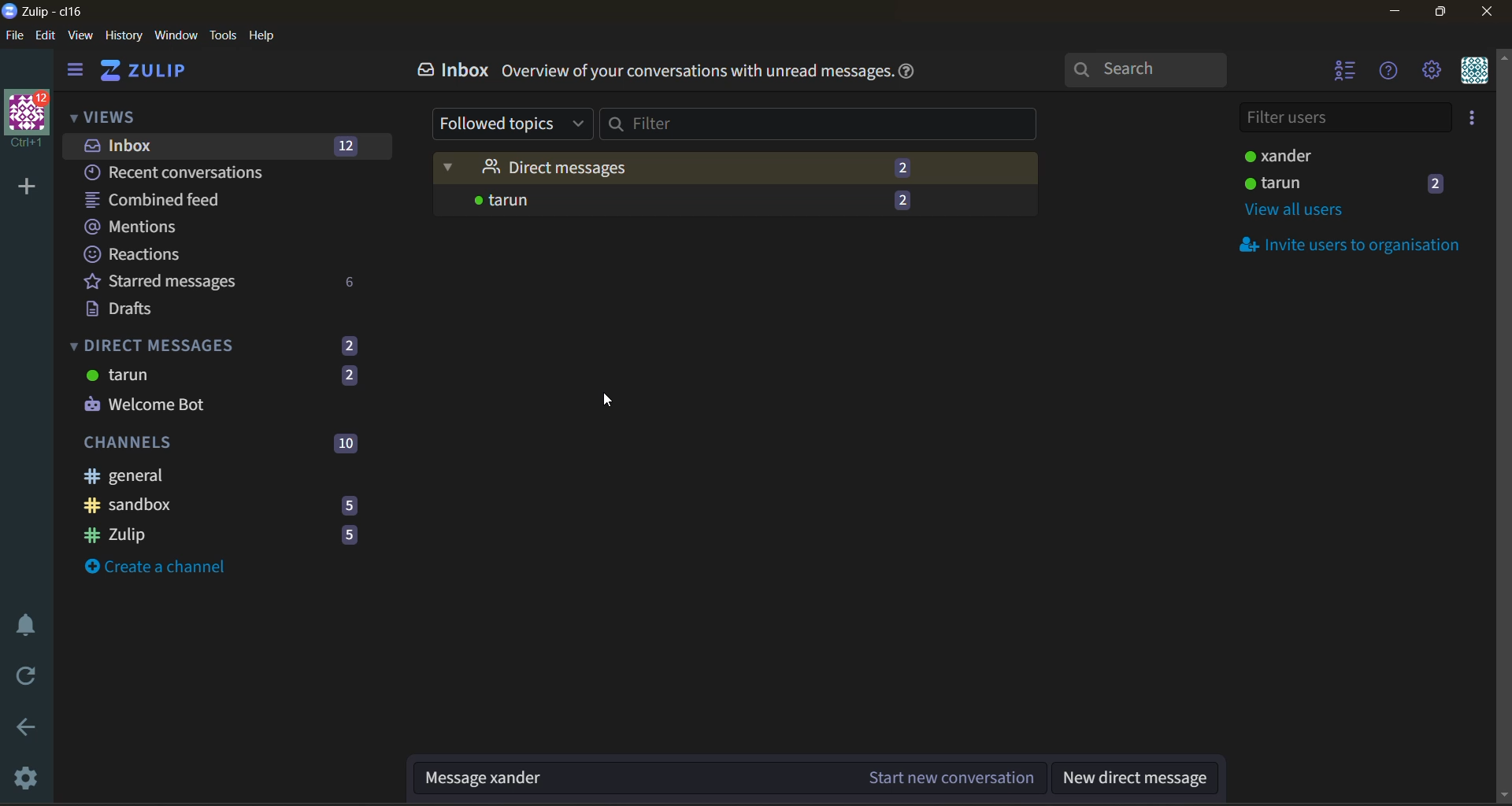 This screenshot has width=1512, height=806. Describe the element at coordinates (640, 69) in the screenshot. I see `Inbox. Overview of your conversations with unread messages.` at that location.